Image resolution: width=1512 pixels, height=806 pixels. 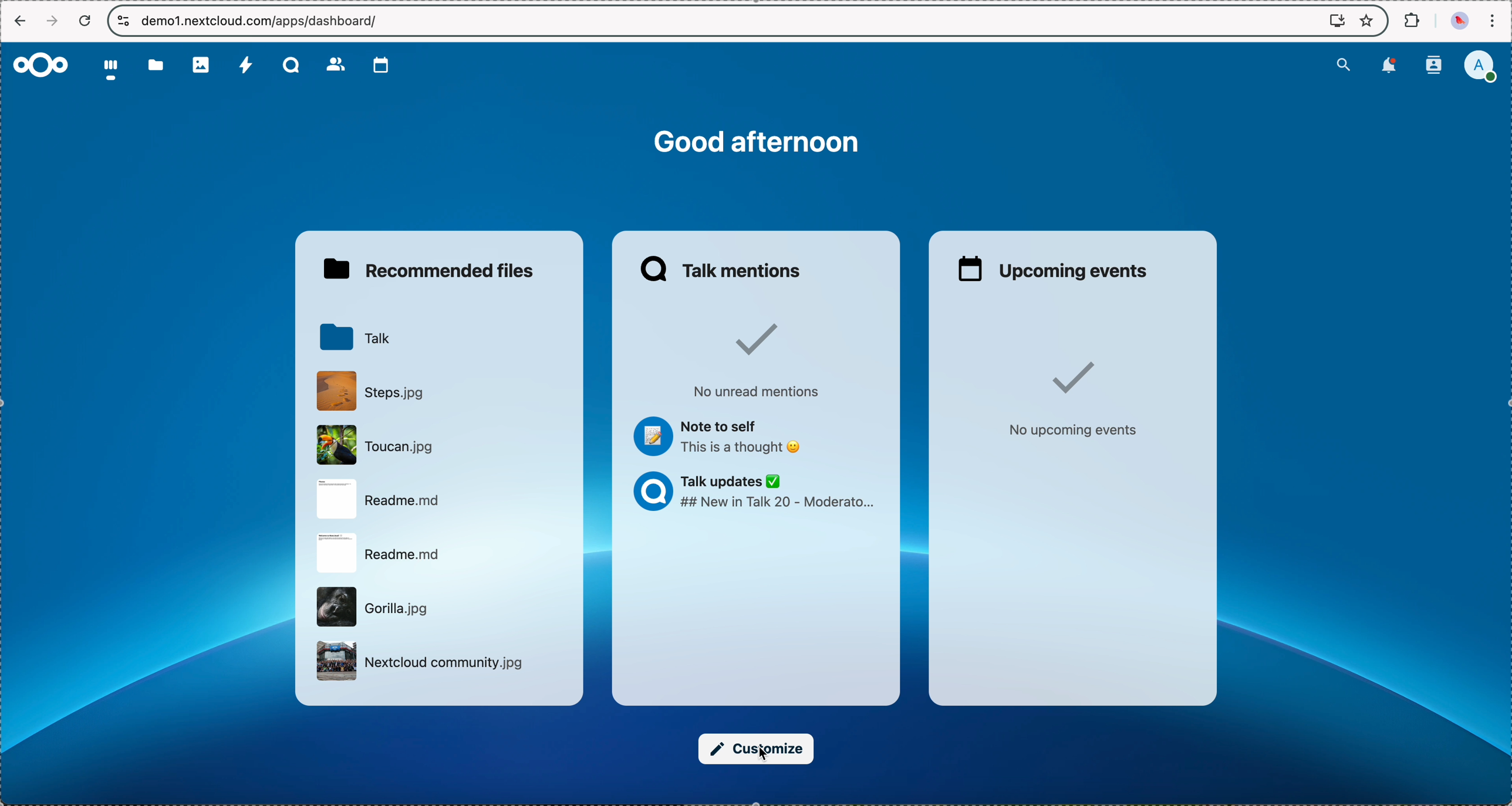 What do you see at coordinates (373, 391) in the screenshot?
I see `file` at bounding box center [373, 391].